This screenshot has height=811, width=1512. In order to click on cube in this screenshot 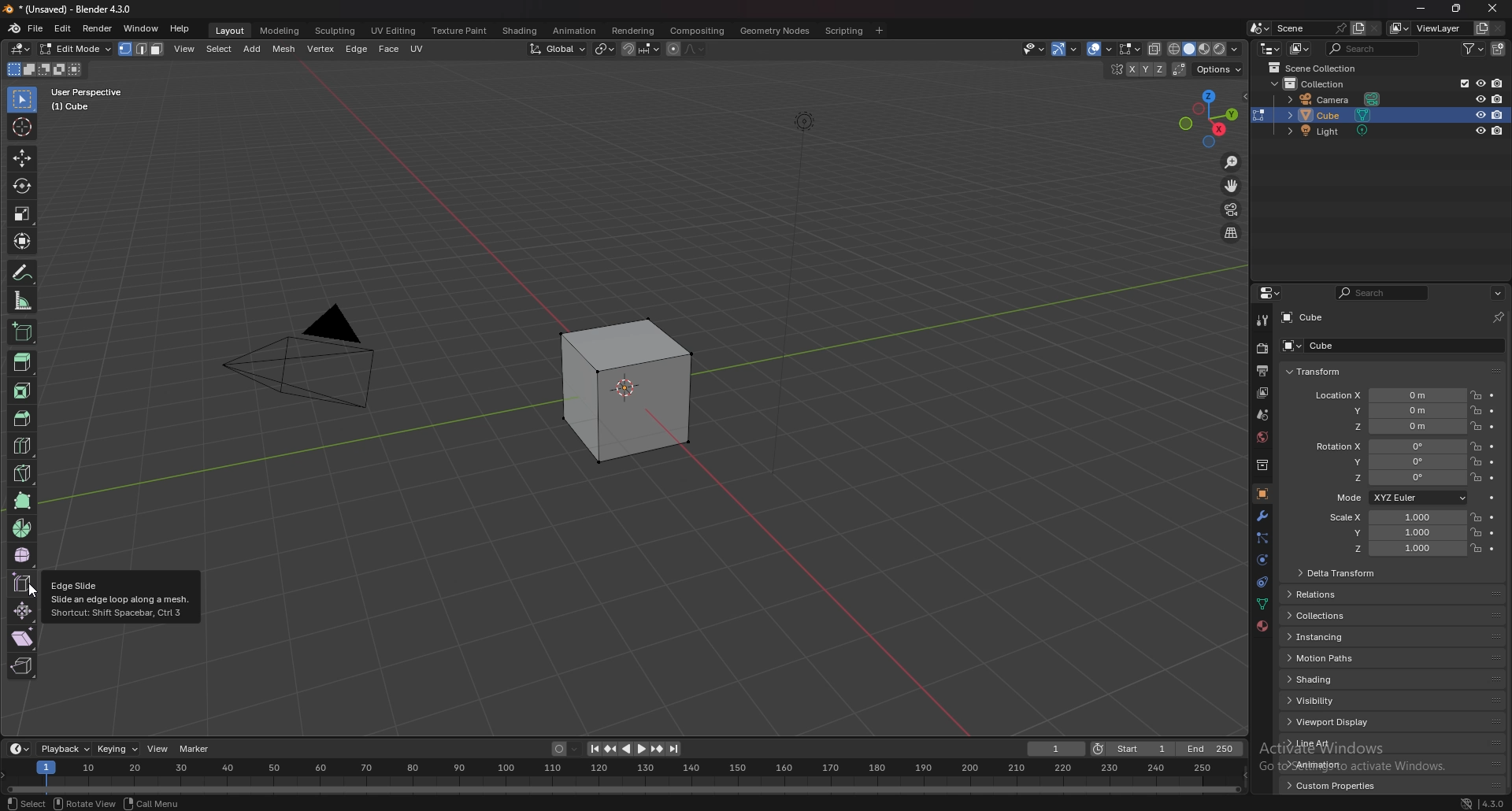, I will do `click(1368, 346)`.